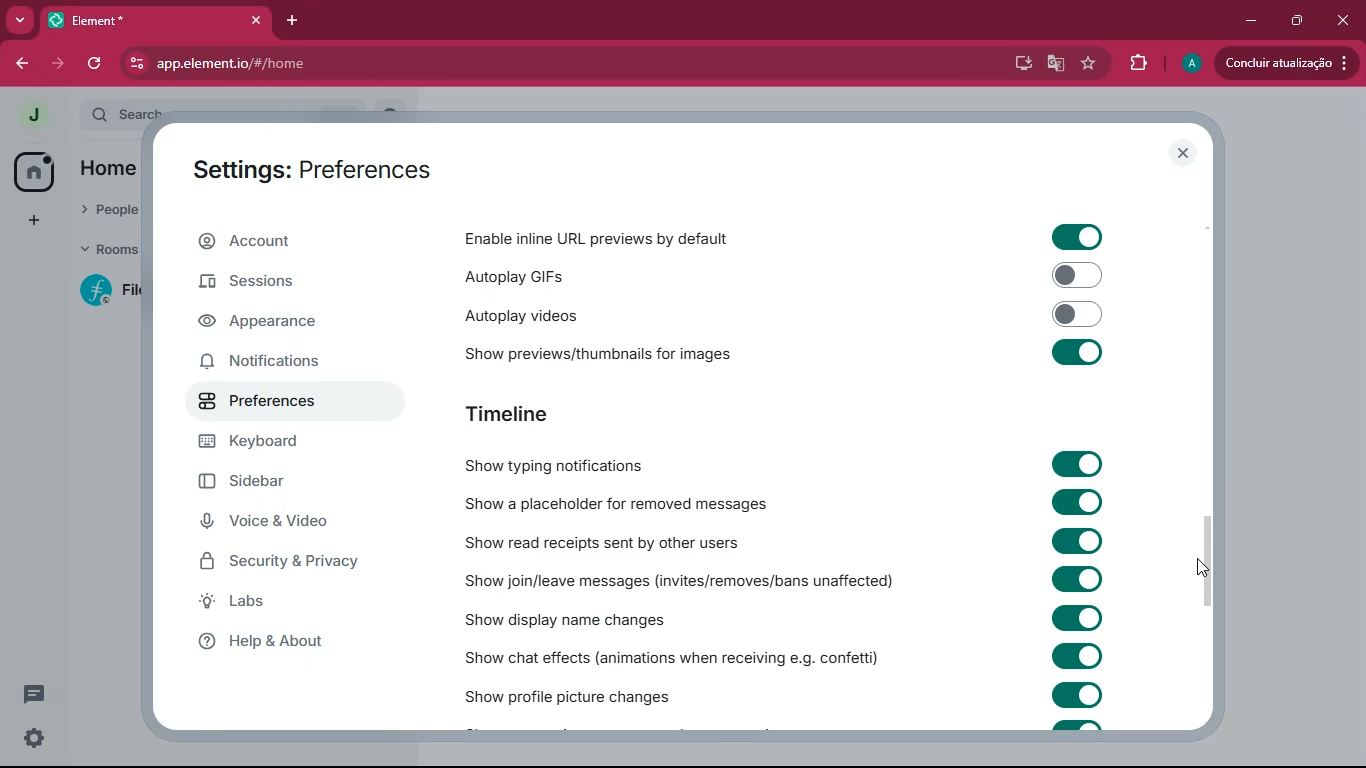  What do you see at coordinates (60, 64) in the screenshot?
I see `forward` at bounding box center [60, 64].